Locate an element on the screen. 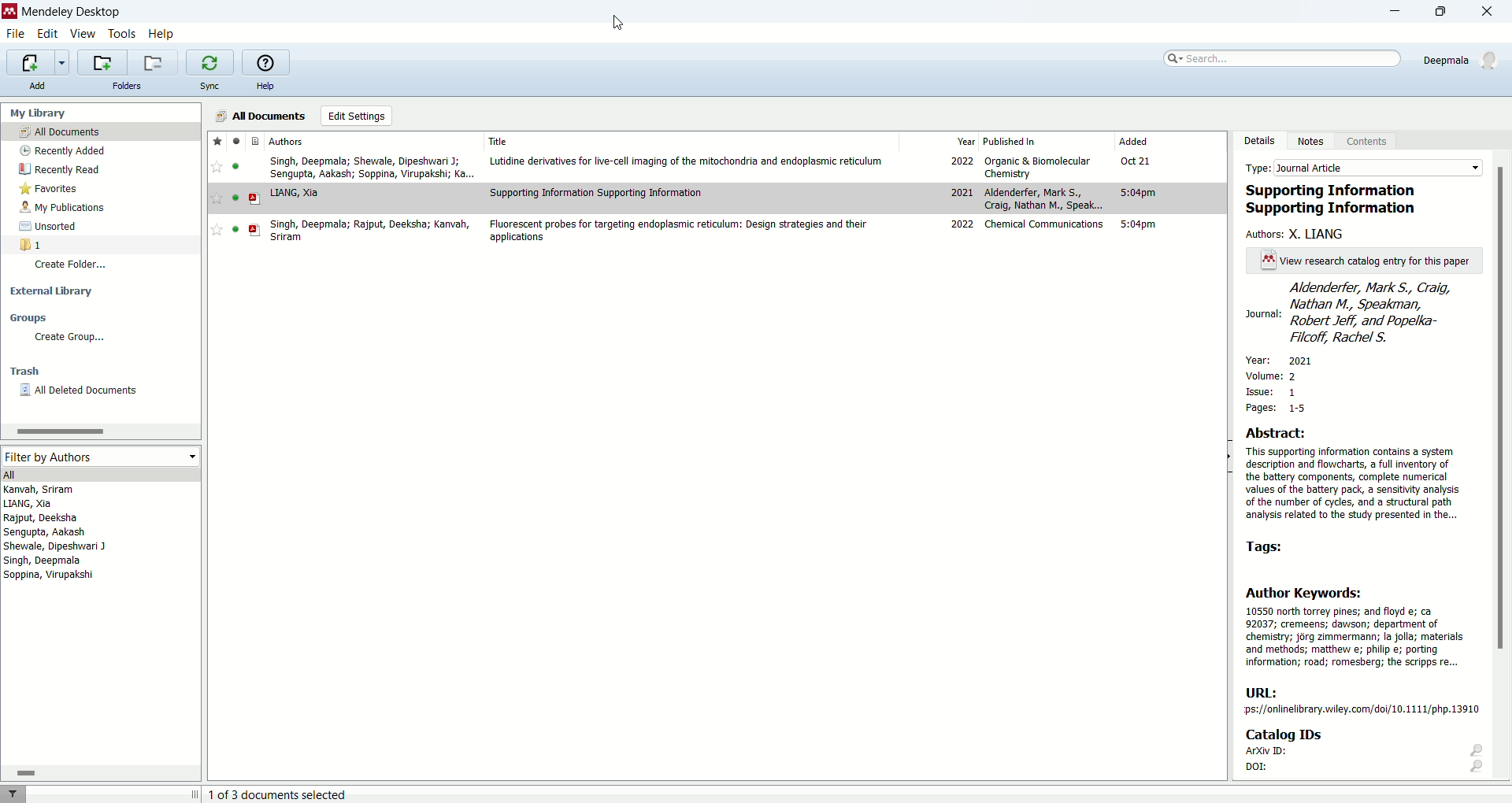  5:04pm is located at coordinates (1138, 193).